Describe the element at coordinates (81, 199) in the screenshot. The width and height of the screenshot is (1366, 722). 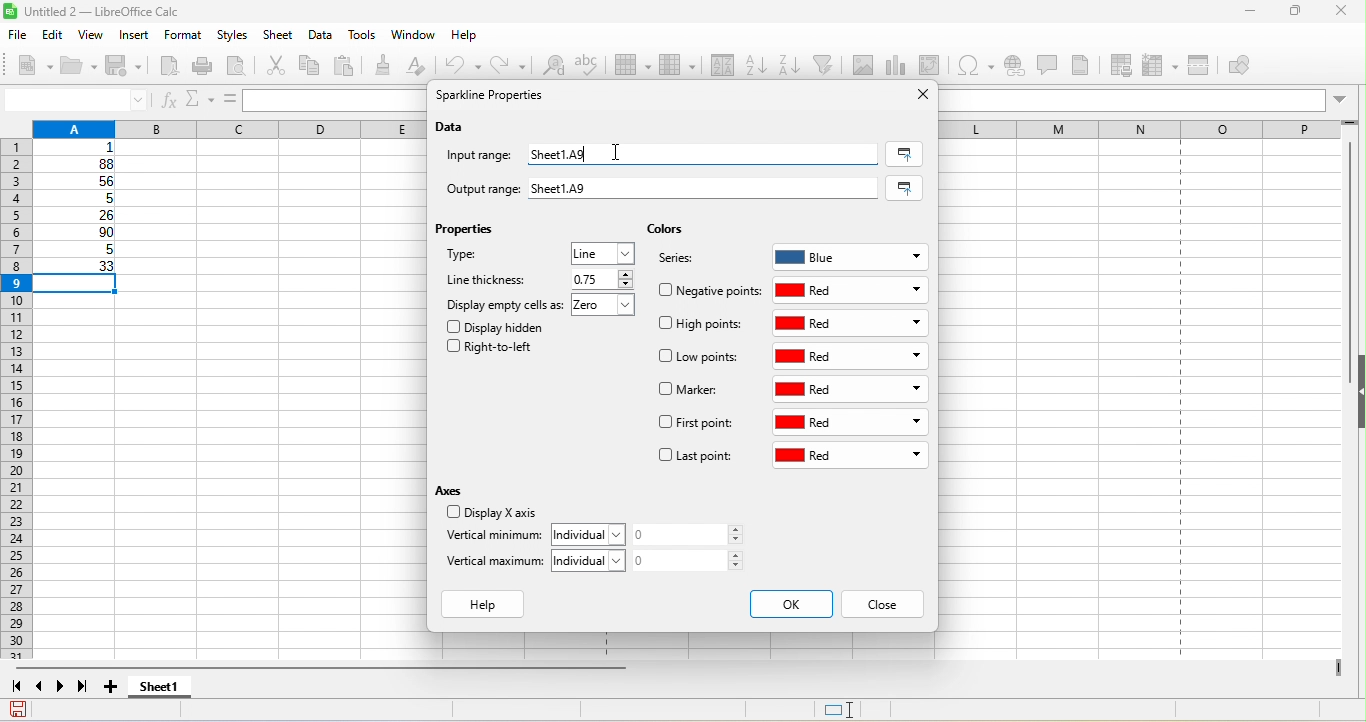
I see `5` at that location.